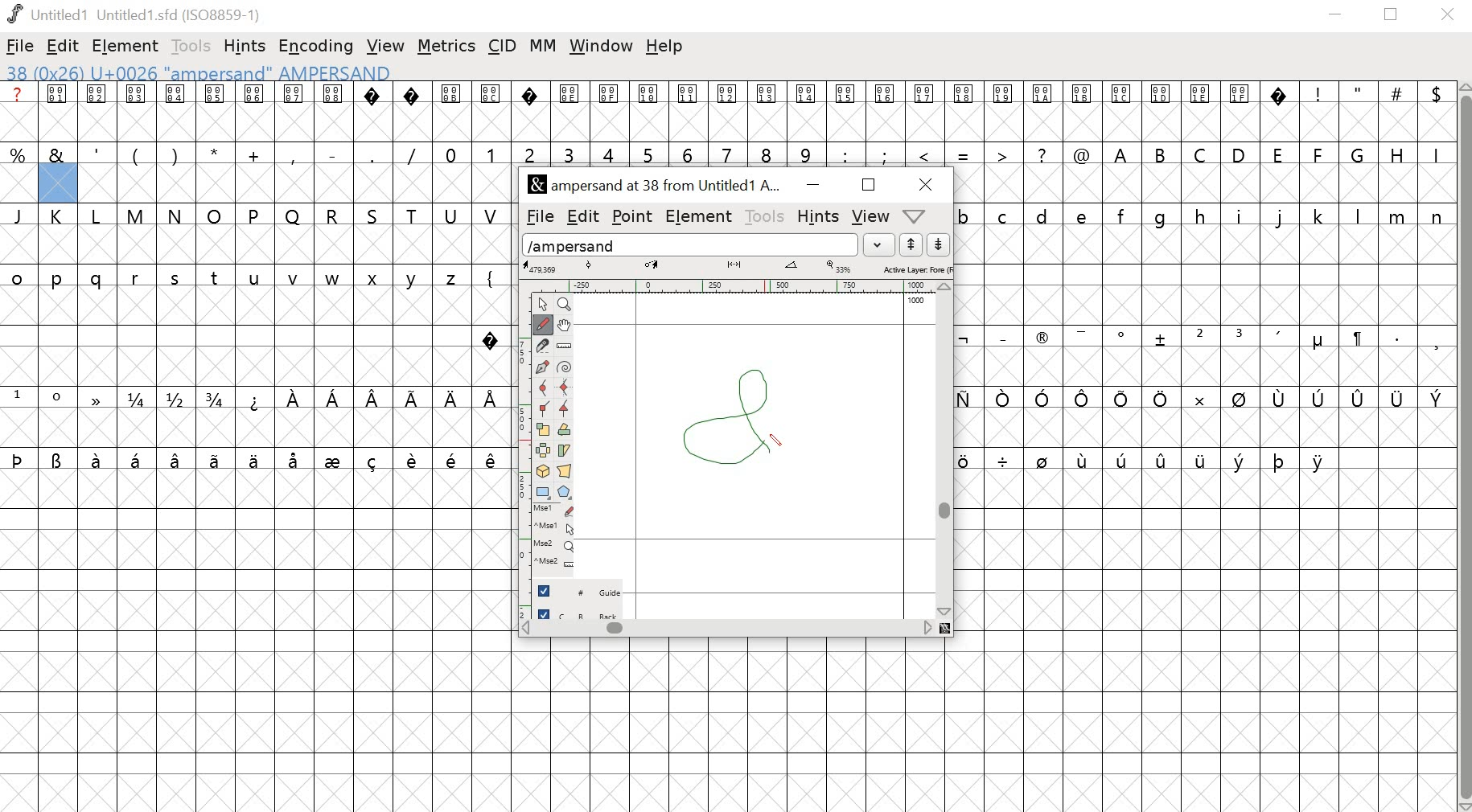  Describe the element at coordinates (138, 279) in the screenshot. I see `r` at that location.